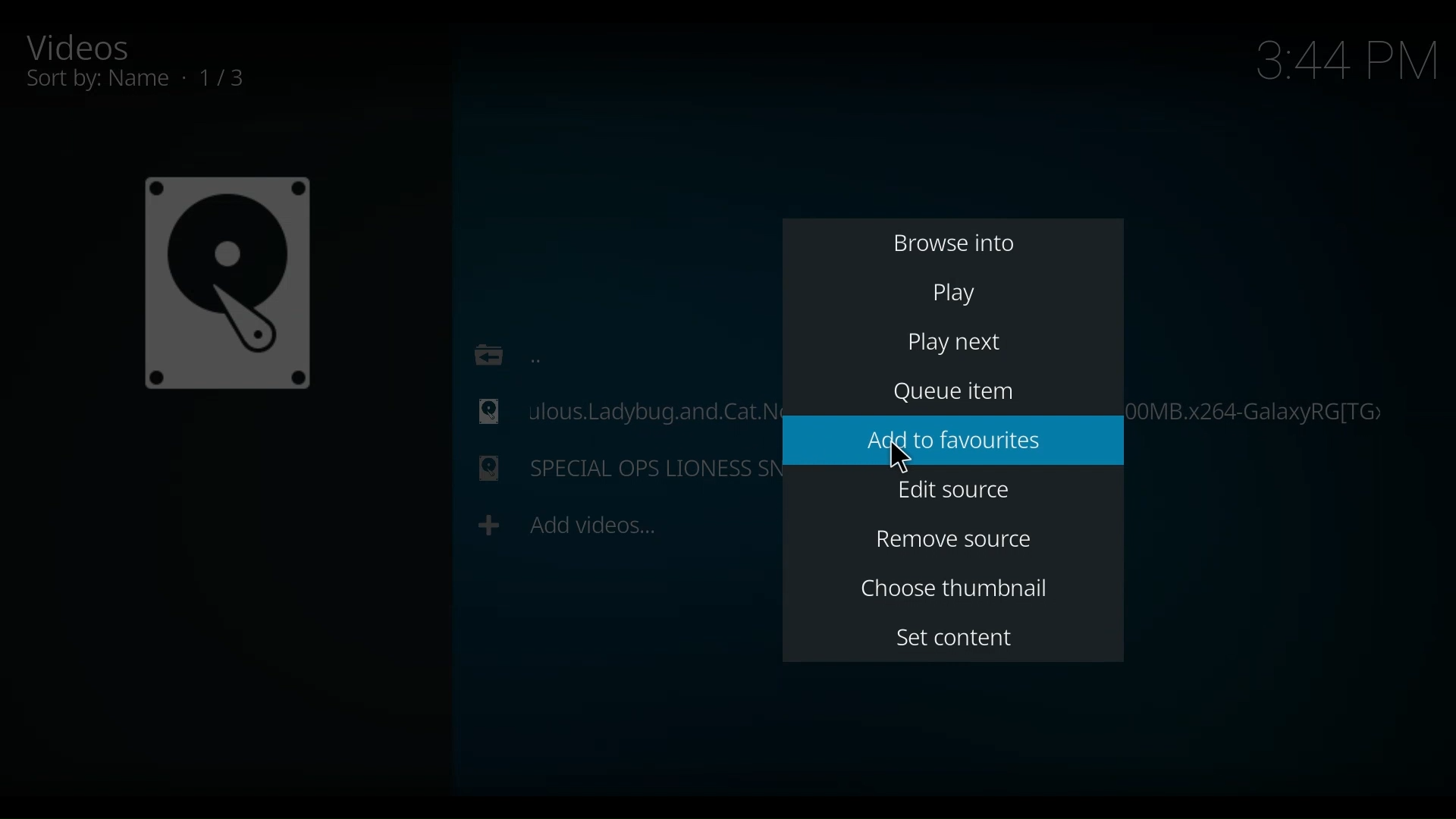 This screenshot has height=819, width=1456. I want to click on Remove Source, so click(955, 541).